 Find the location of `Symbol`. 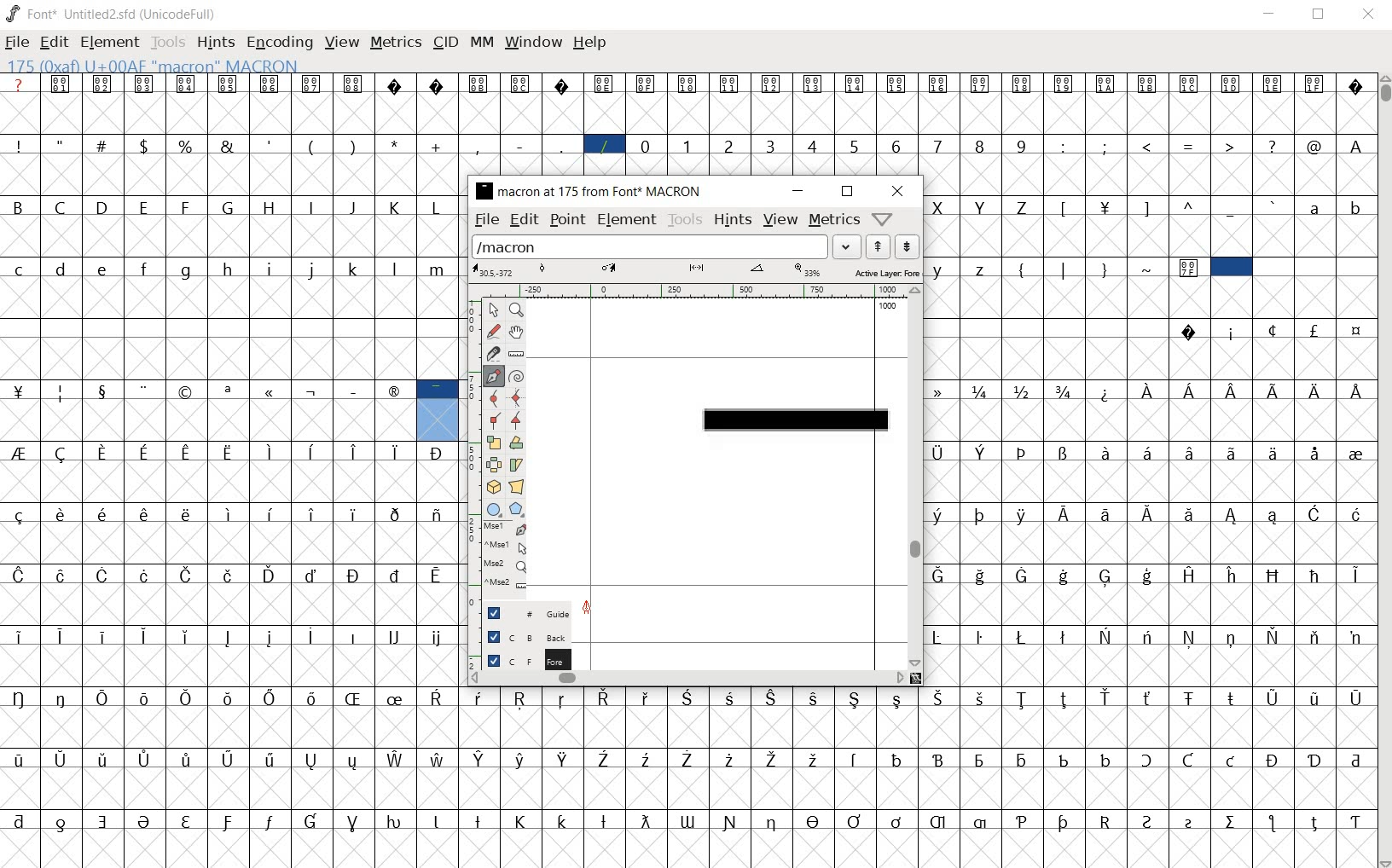

Symbol is located at coordinates (146, 758).